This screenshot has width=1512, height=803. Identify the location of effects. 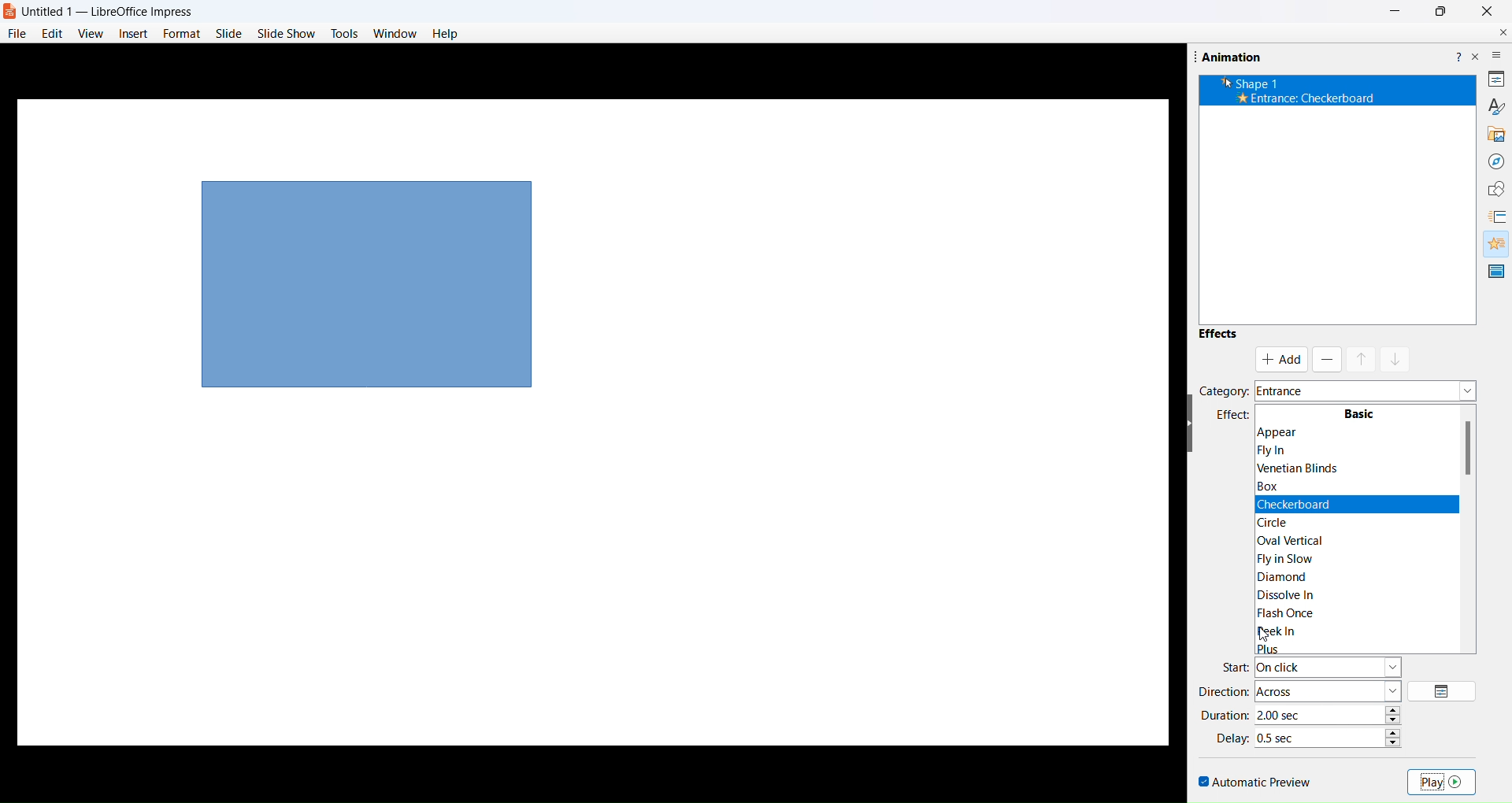
(1218, 337).